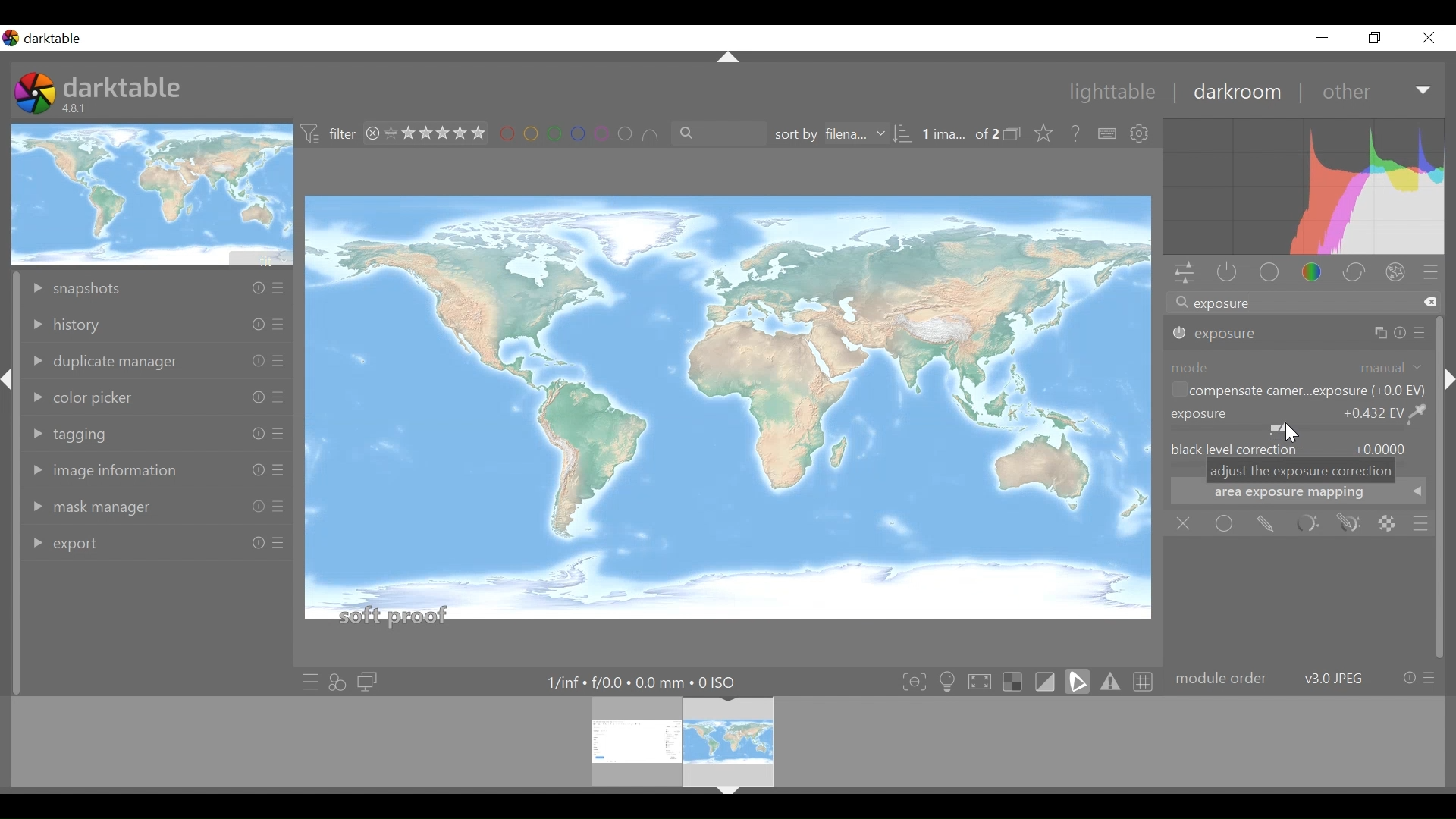 This screenshot has width=1456, height=819. What do you see at coordinates (1357, 274) in the screenshot?
I see `correct` at bounding box center [1357, 274].